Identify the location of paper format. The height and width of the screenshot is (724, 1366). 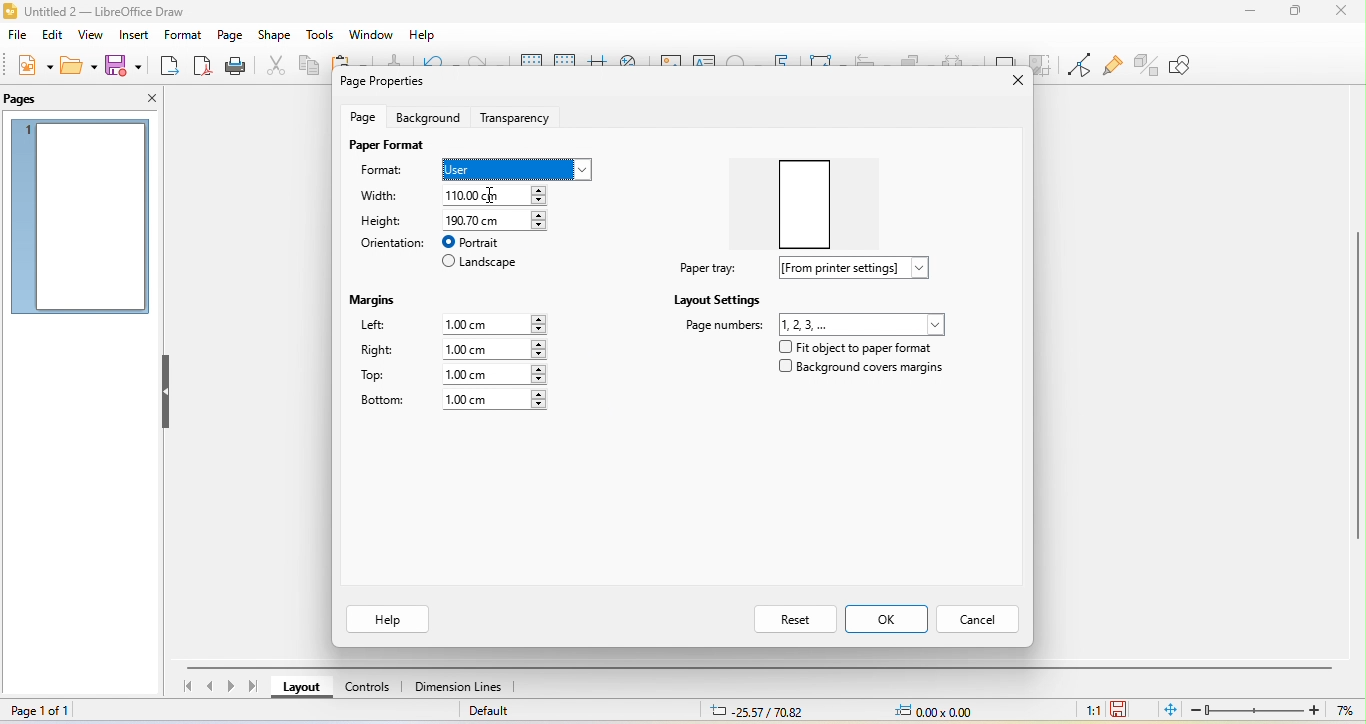
(386, 145).